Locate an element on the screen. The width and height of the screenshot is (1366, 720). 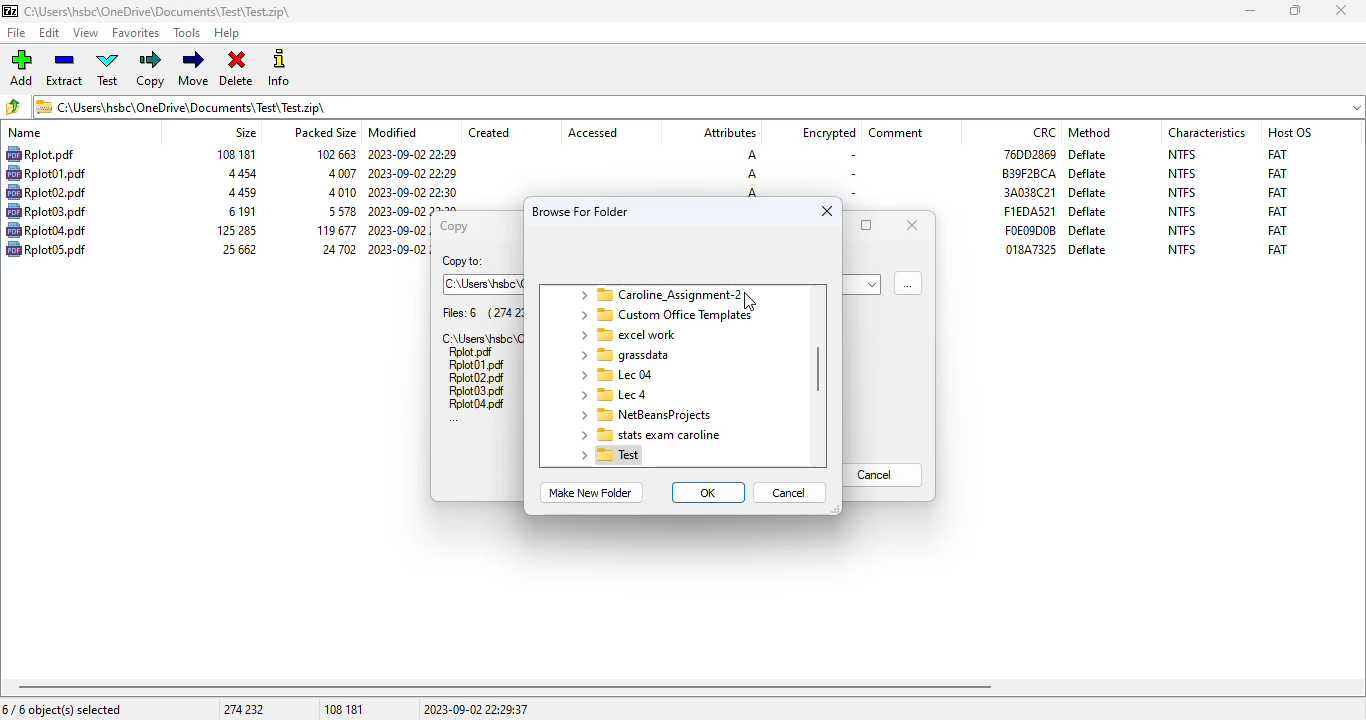
modified date & time is located at coordinates (414, 209).